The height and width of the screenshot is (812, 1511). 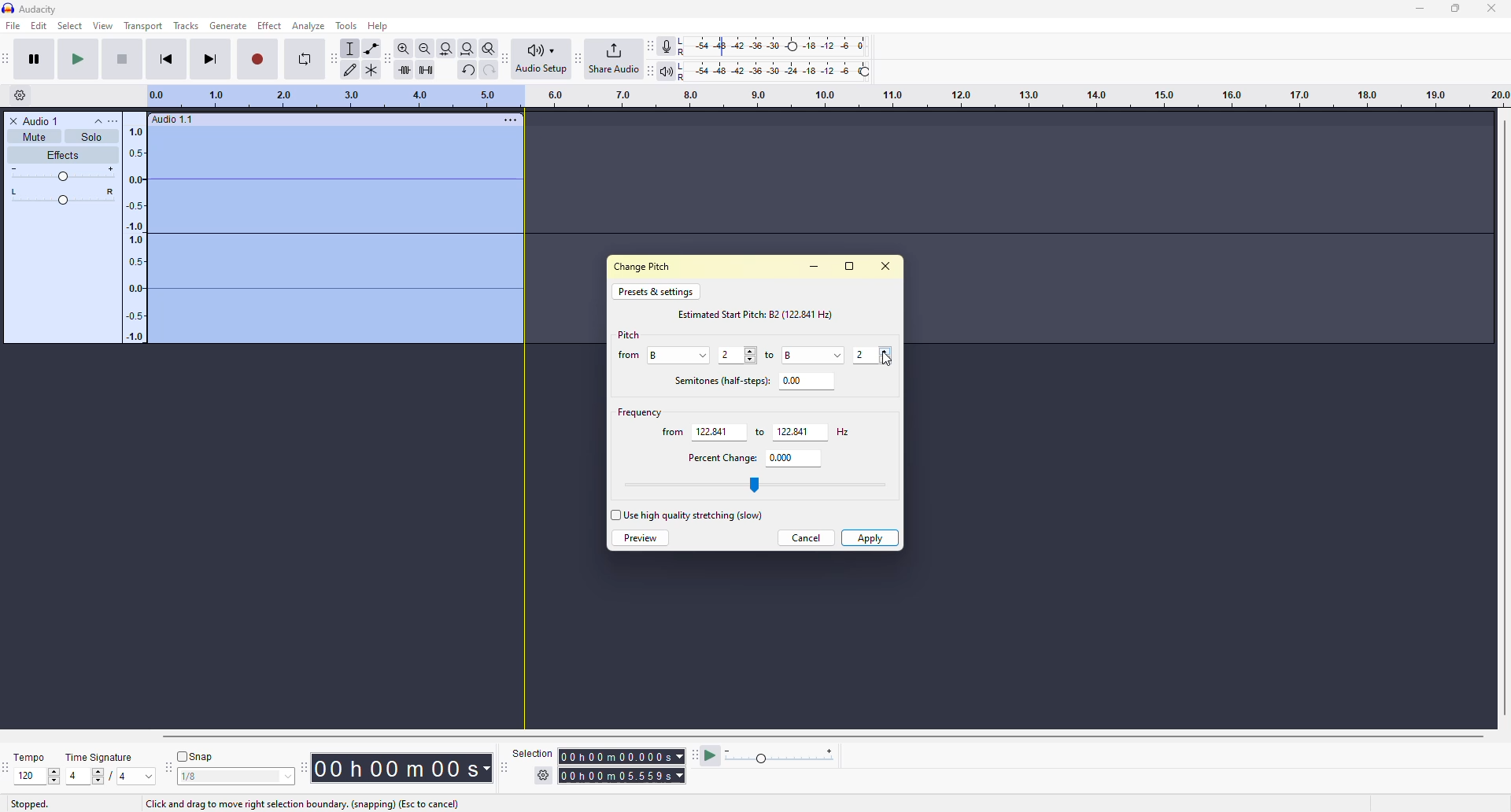 I want to click on select, so click(x=284, y=777).